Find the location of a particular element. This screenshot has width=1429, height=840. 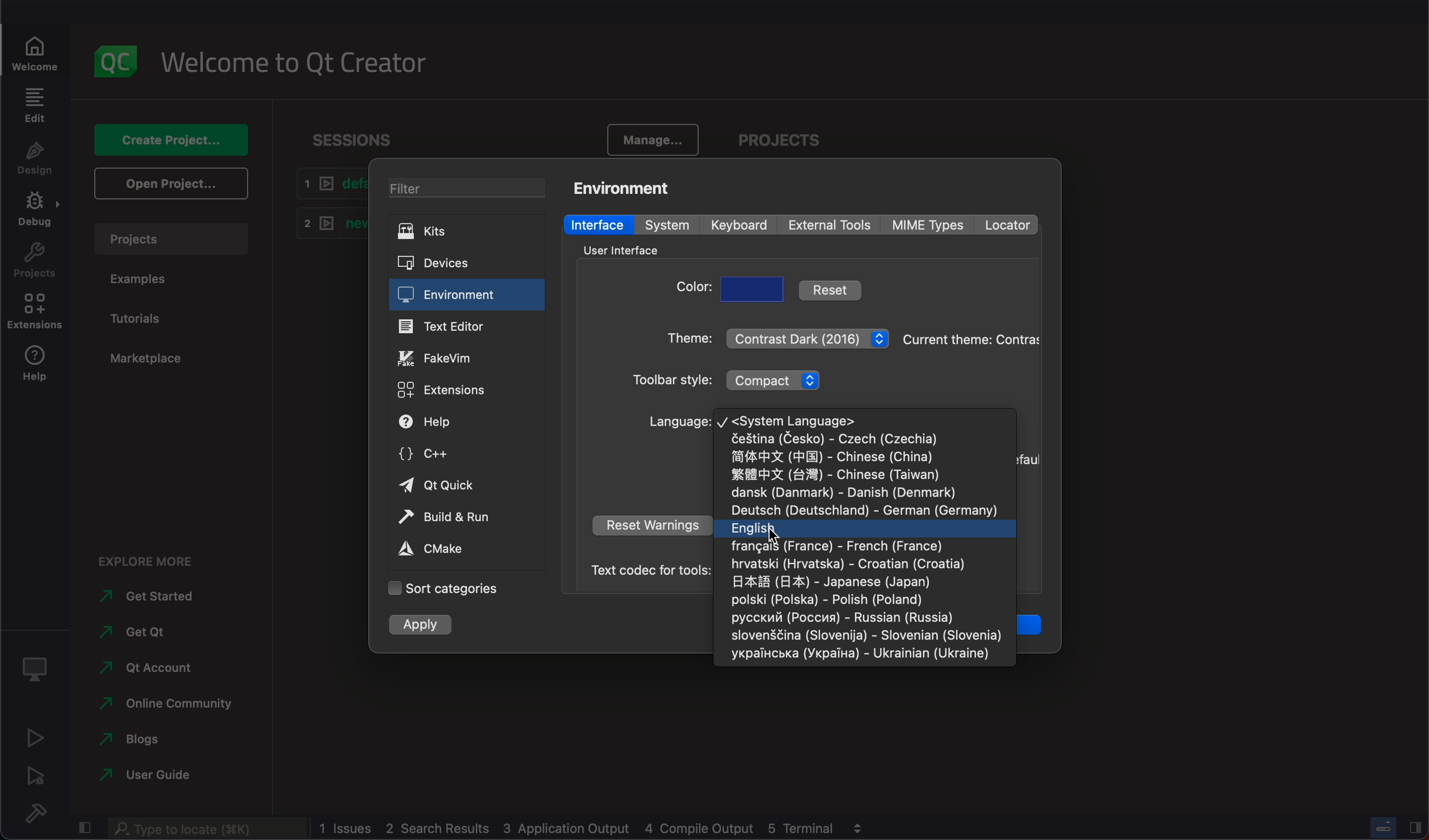

apply is located at coordinates (425, 623).